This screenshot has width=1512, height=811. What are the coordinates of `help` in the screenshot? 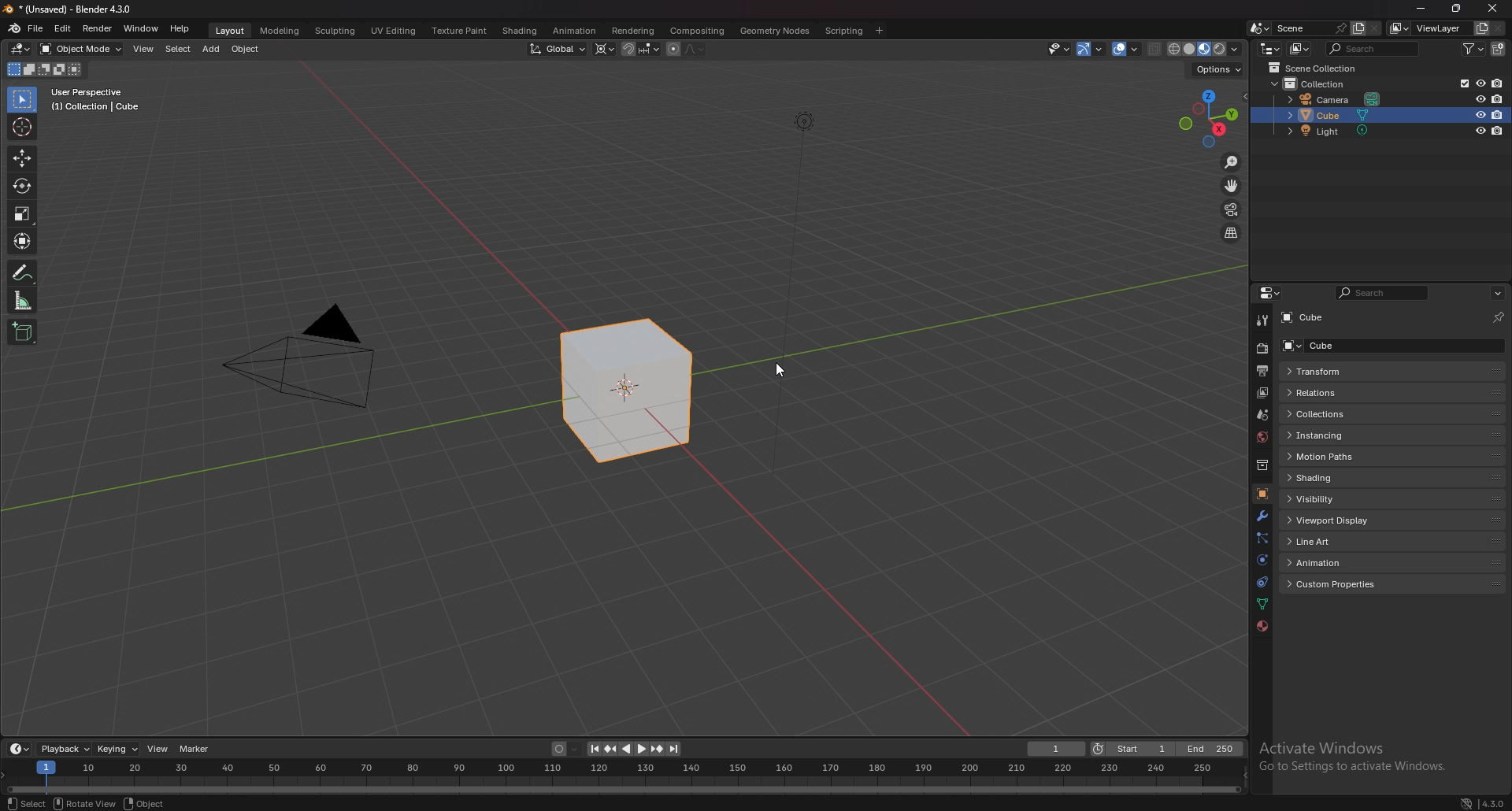 It's located at (180, 28).